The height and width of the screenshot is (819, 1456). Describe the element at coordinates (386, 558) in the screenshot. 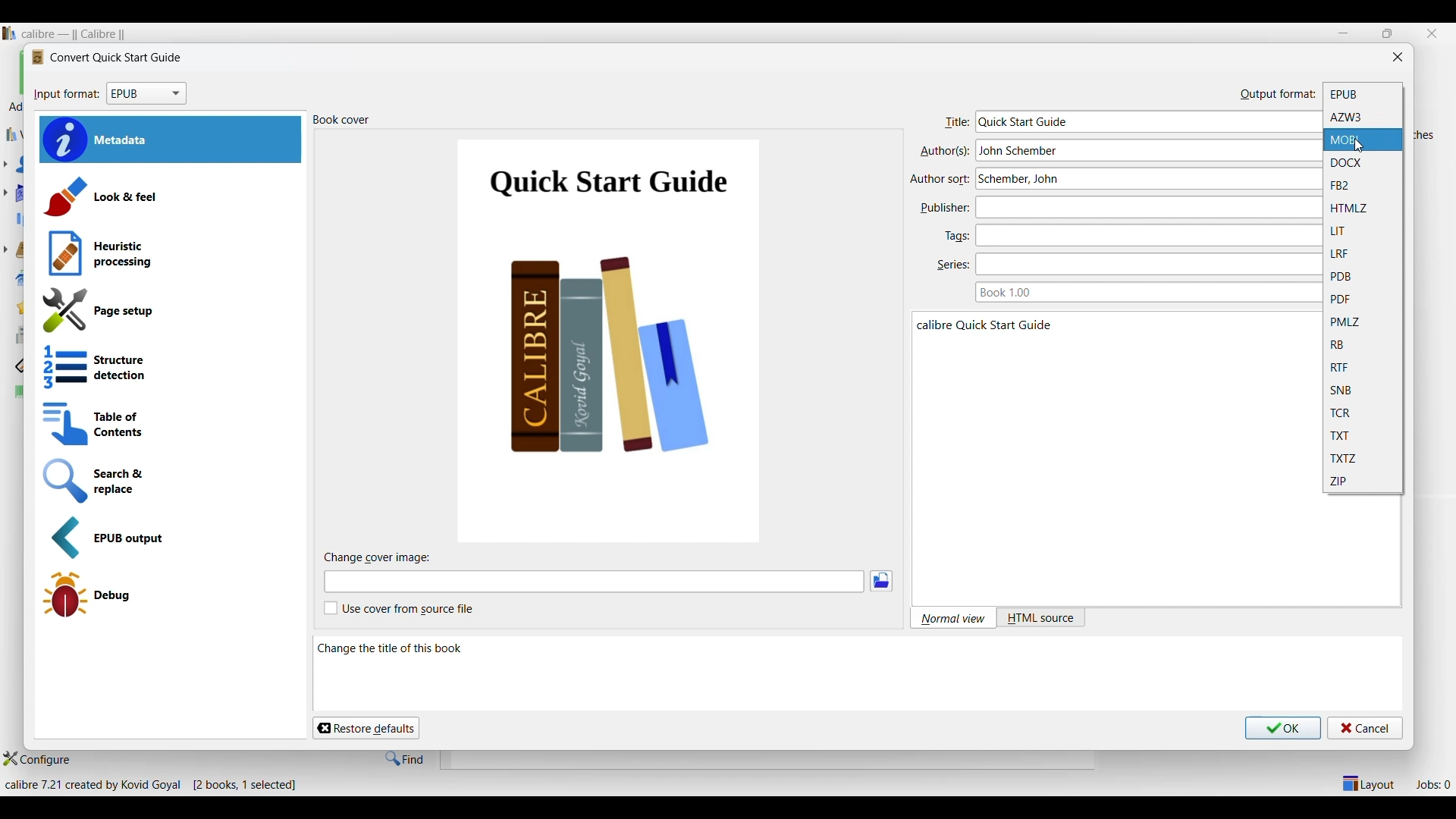

I see `change cover image` at that location.